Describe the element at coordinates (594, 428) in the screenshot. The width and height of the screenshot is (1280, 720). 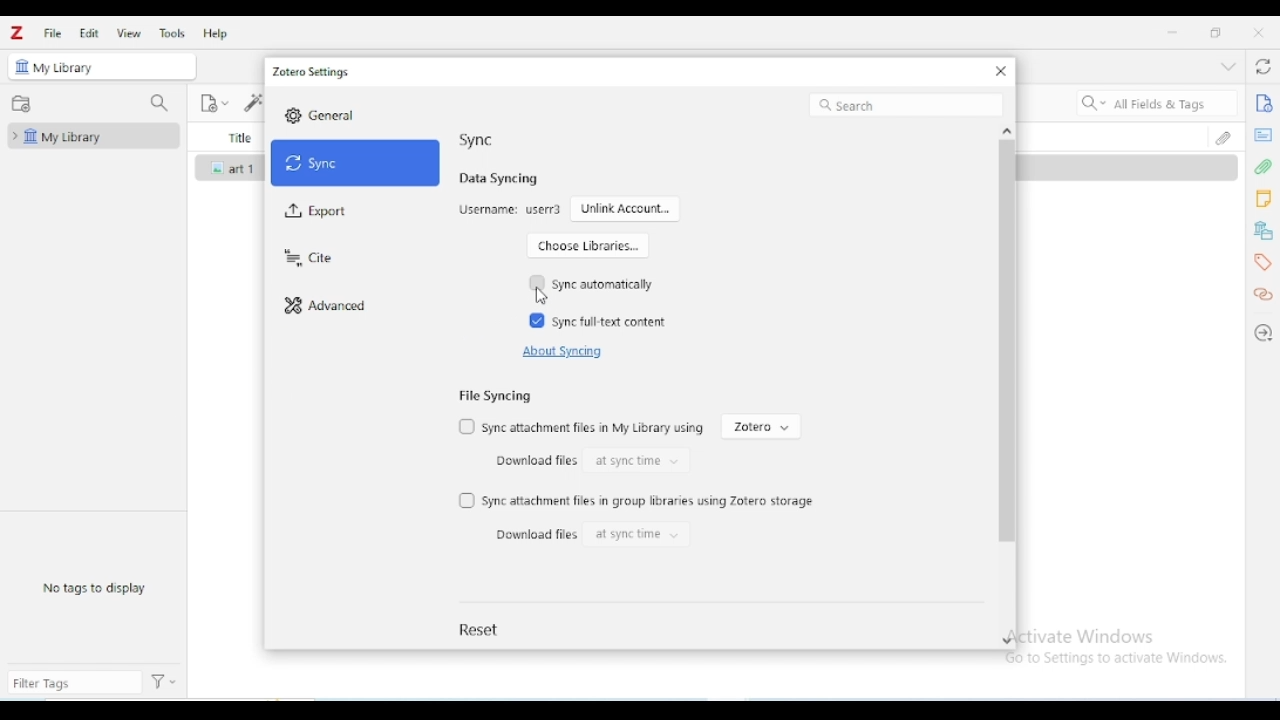
I see `sync attachment files in My library using` at that location.